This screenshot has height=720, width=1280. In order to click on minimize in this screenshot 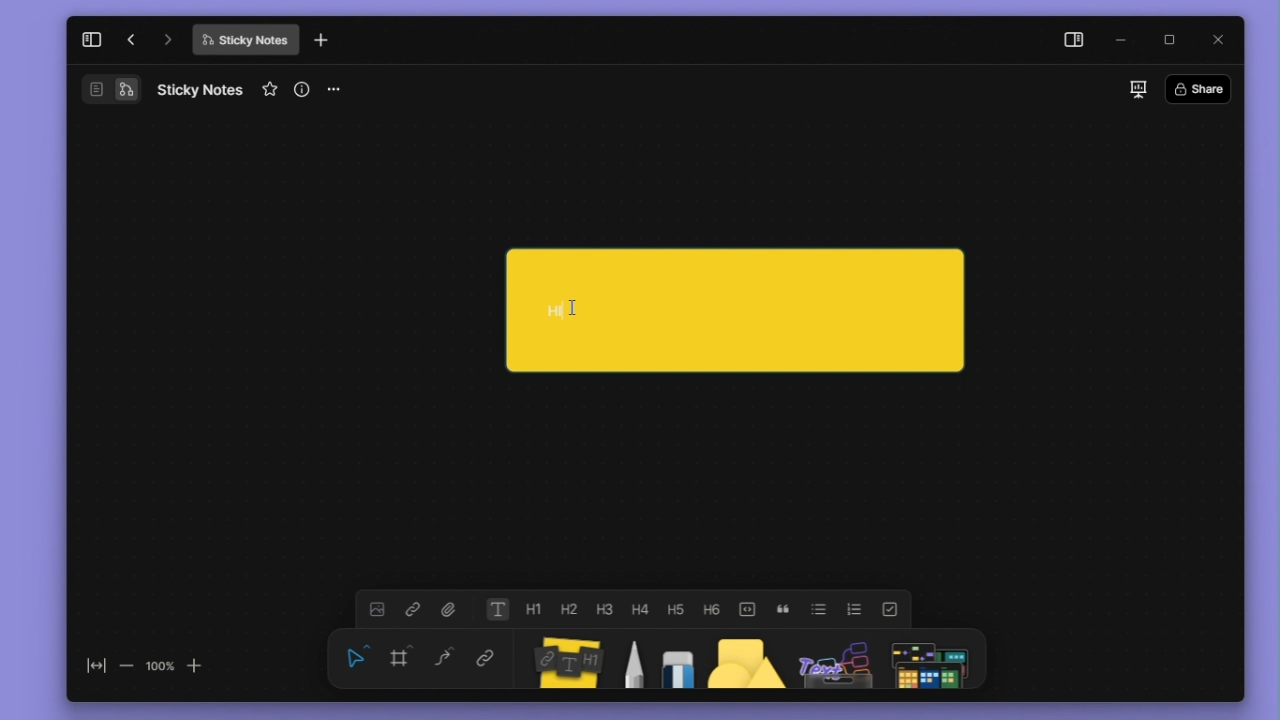, I will do `click(1120, 41)`.